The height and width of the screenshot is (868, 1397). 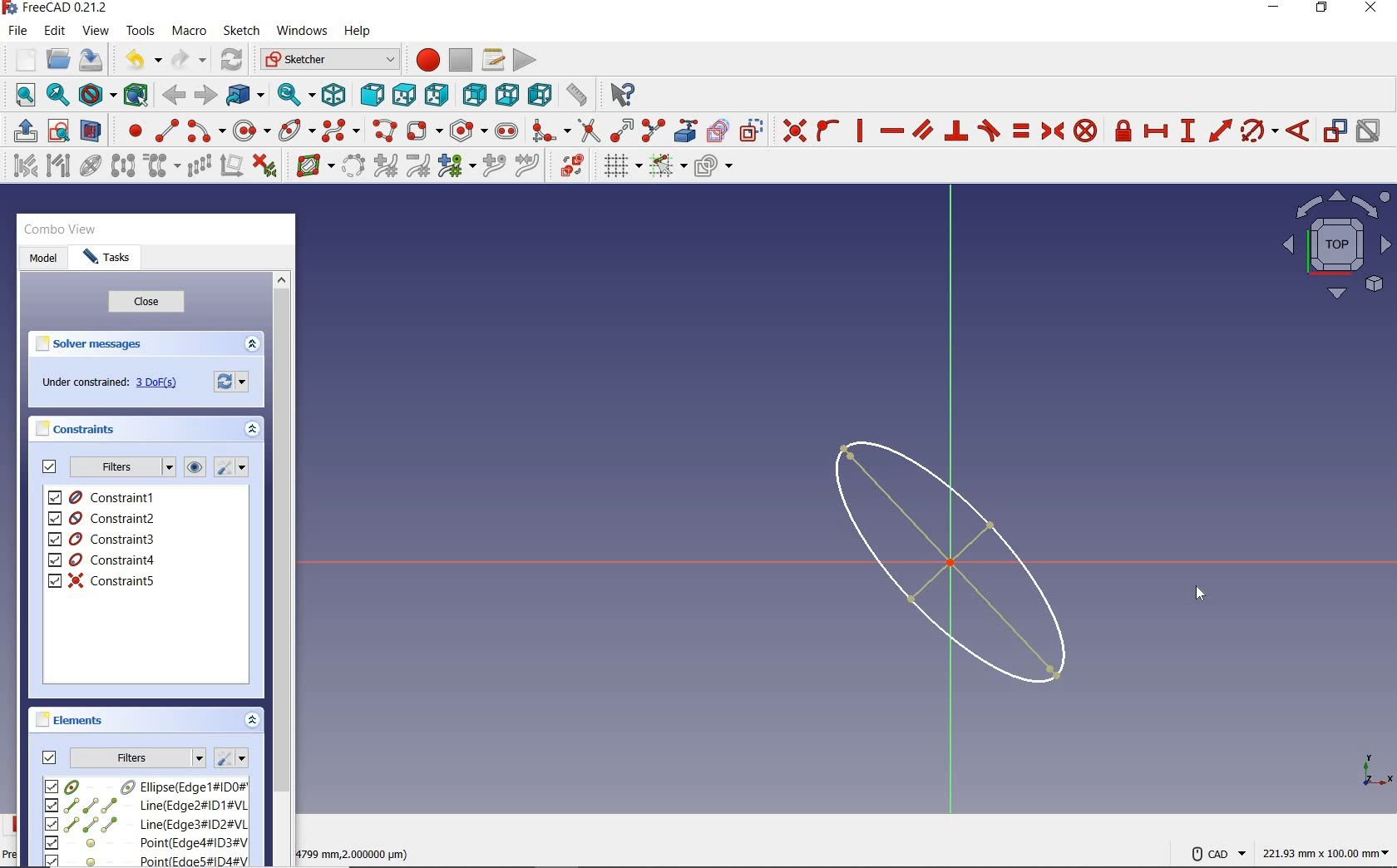 What do you see at coordinates (300, 32) in the screenshot?
I see `windows` at bounding box center [300, 32].